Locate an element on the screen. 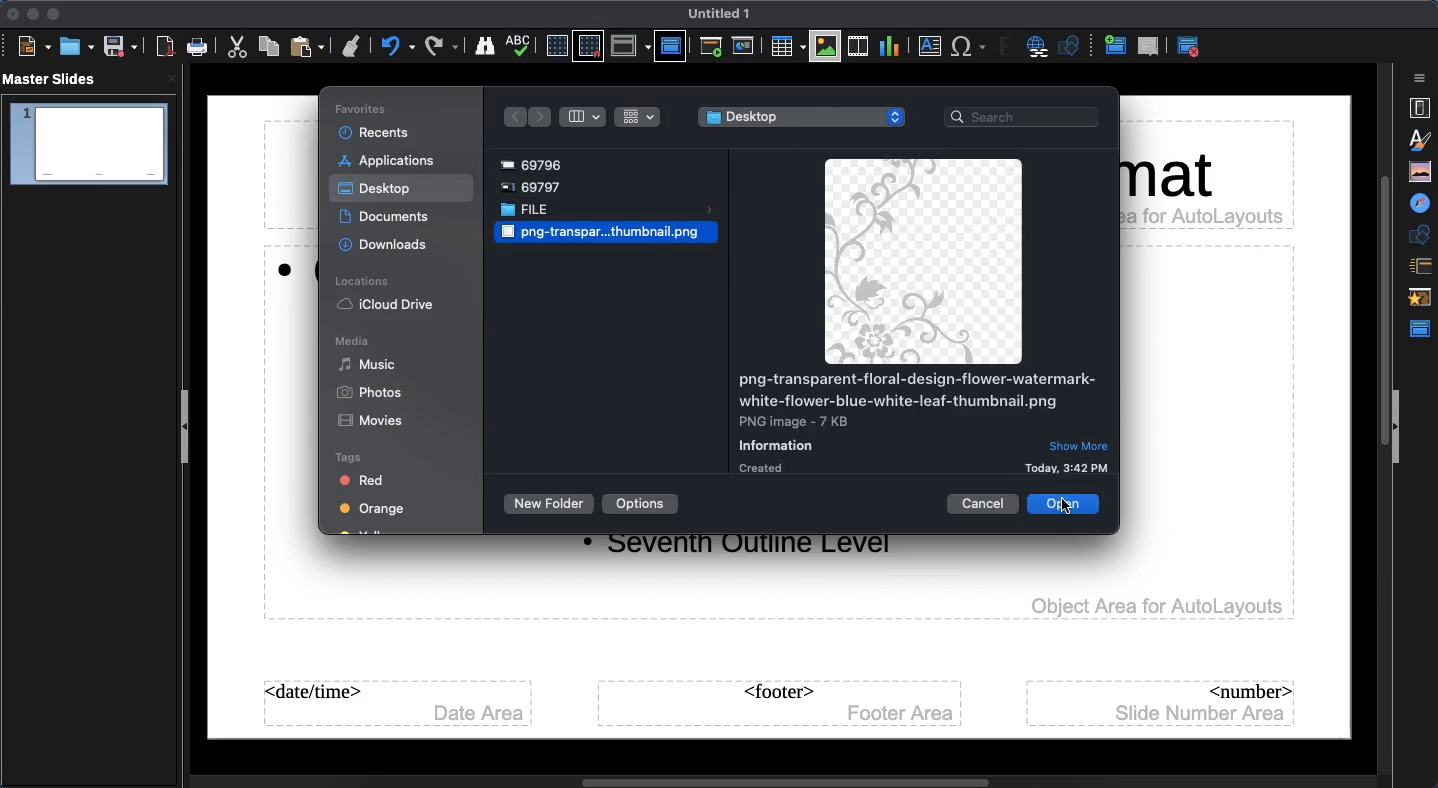  media is located at coordinates (354, 341).